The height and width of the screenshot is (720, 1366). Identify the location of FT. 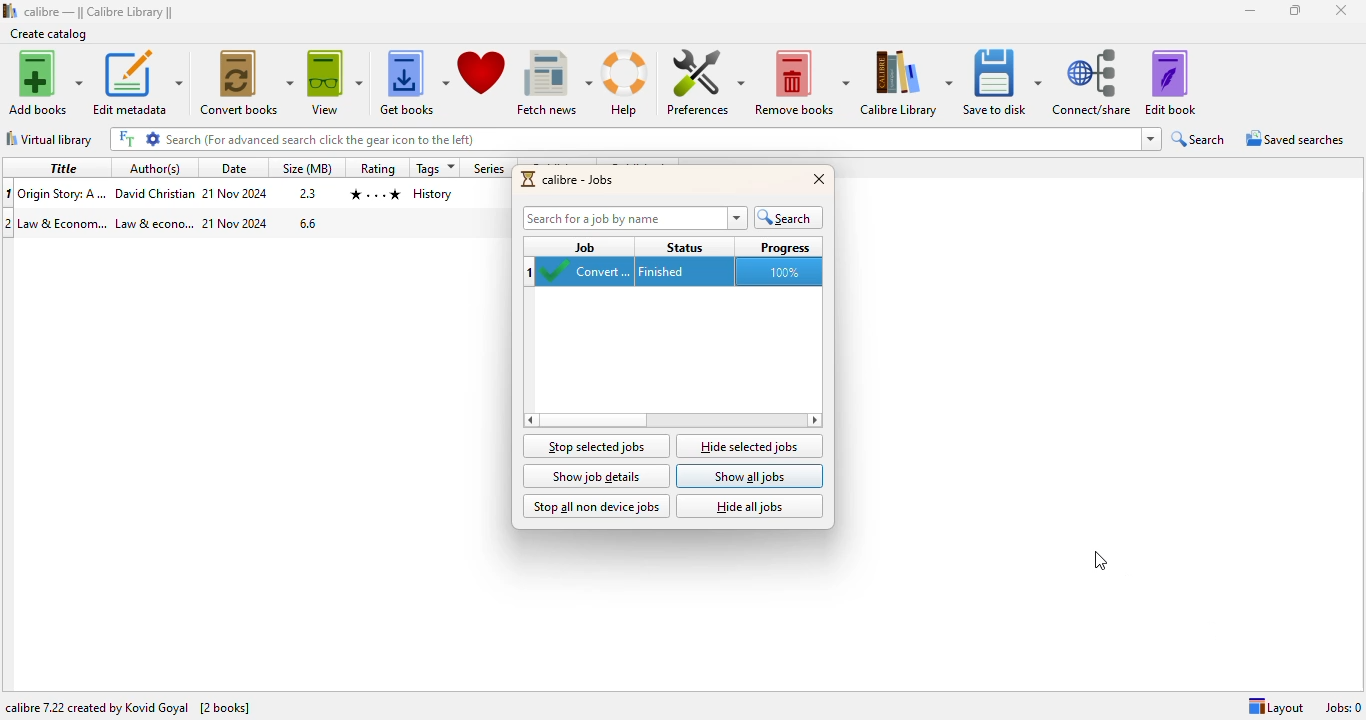
(127, 138).